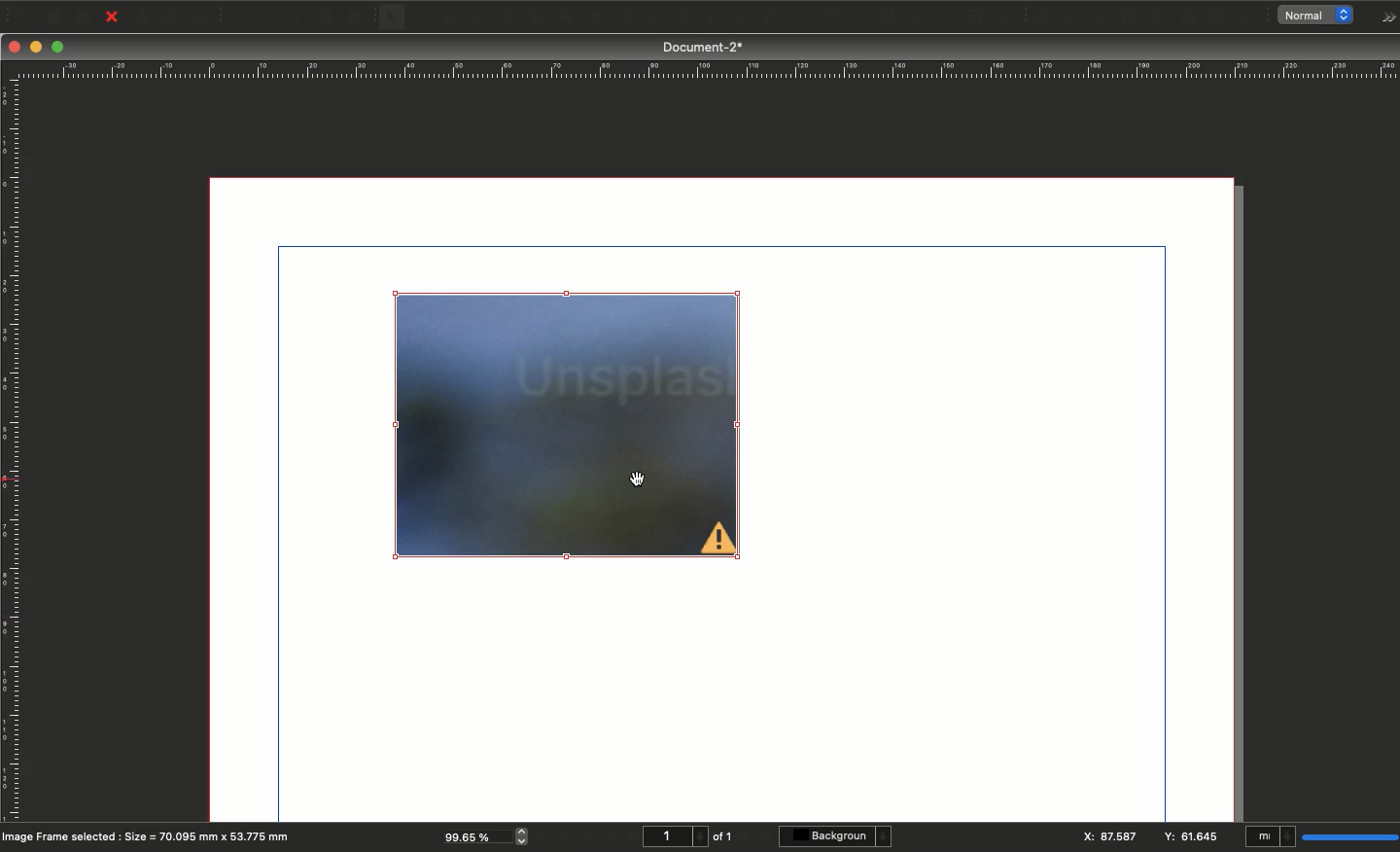  What do you see at coordinates (740, 20) in the screenshot?
I see `Rotate item` at bounding box center [740, 20].